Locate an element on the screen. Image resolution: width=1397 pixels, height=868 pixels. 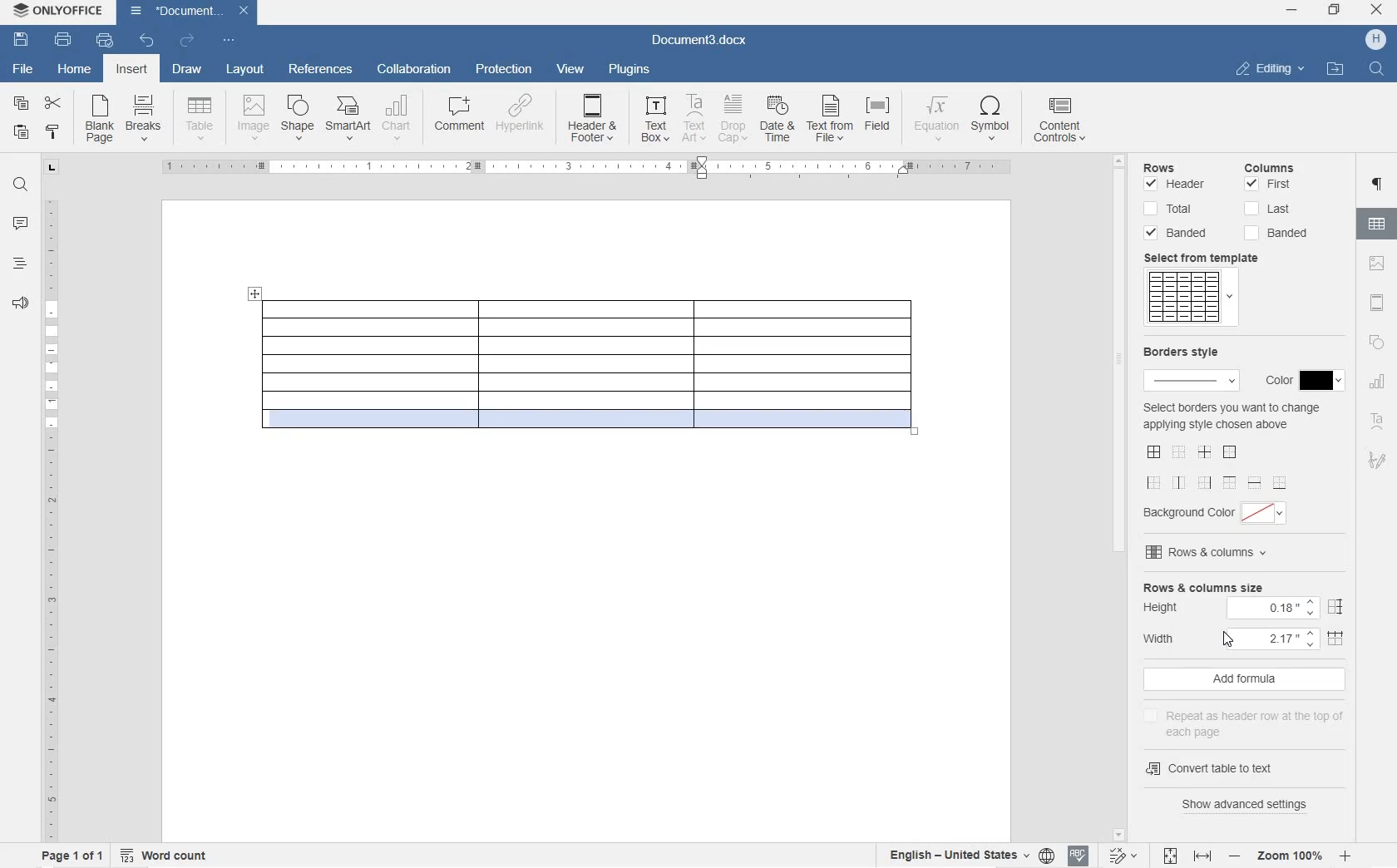
columns is located at coordinates (1279, 165).